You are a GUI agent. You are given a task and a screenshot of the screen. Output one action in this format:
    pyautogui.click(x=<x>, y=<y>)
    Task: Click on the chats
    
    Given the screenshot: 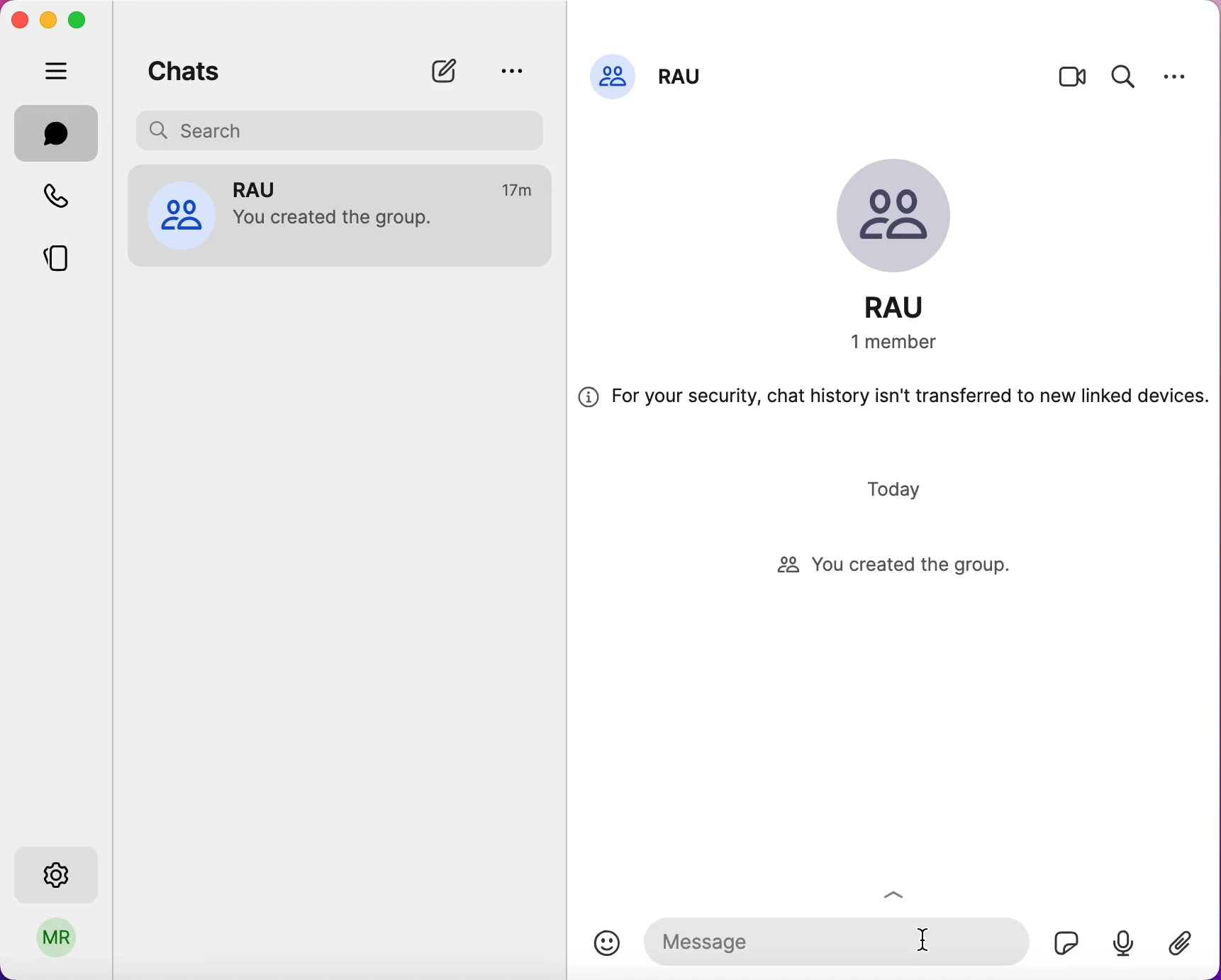 What is the action you would take?
    pyautogui.click(x=184, y=68)
    